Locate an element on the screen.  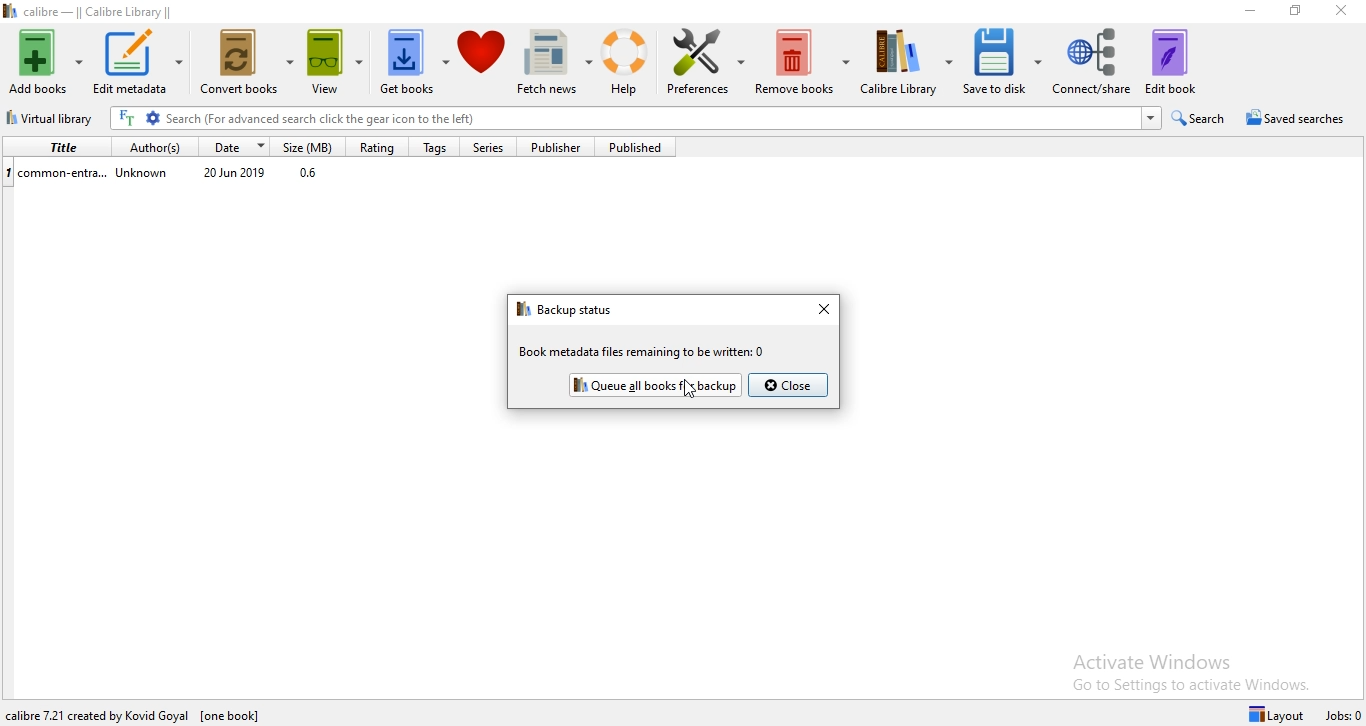
common-entra... is located at coordinates (57, 171).